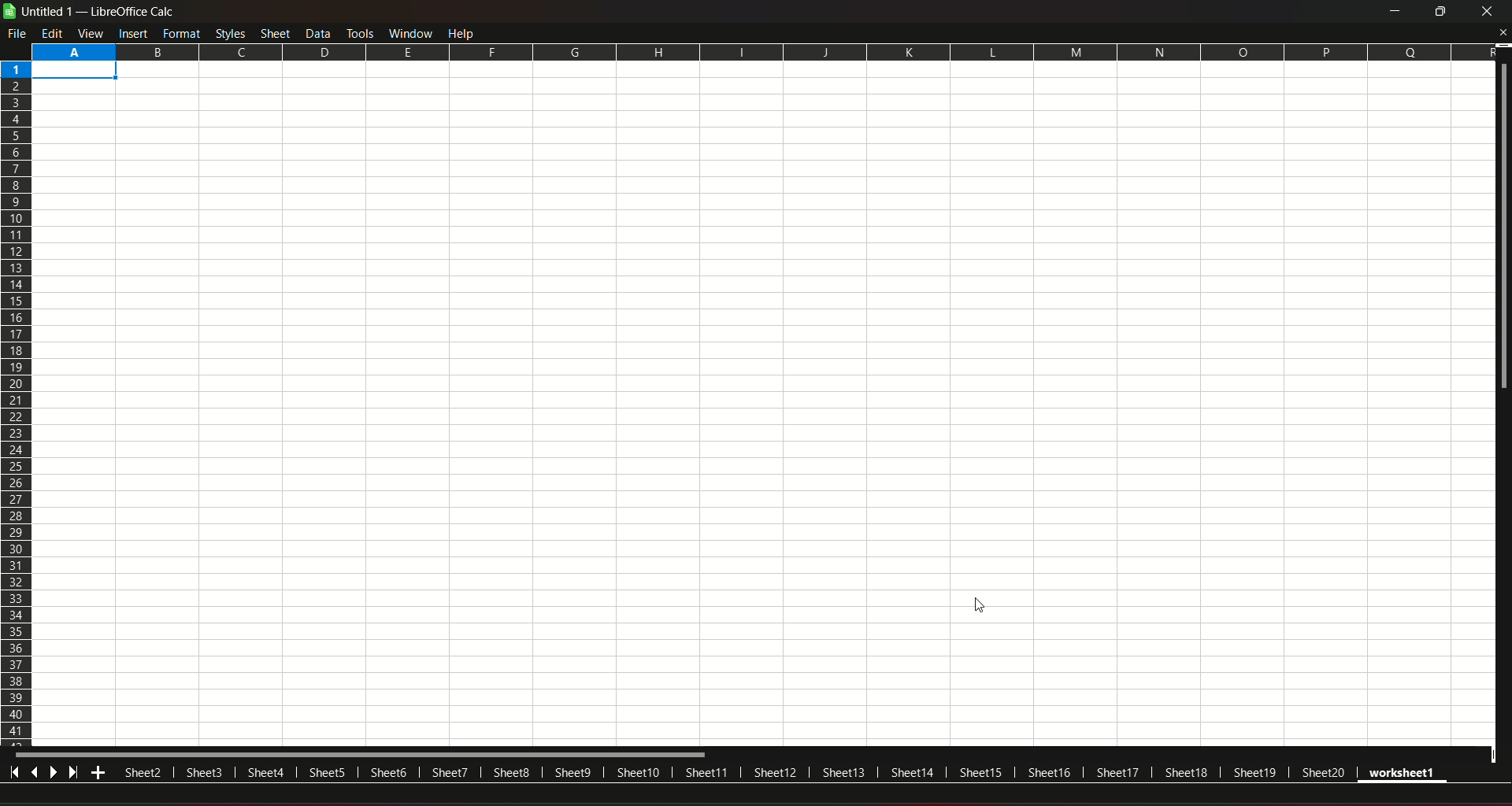  I want to click on view, so click(91, 33).